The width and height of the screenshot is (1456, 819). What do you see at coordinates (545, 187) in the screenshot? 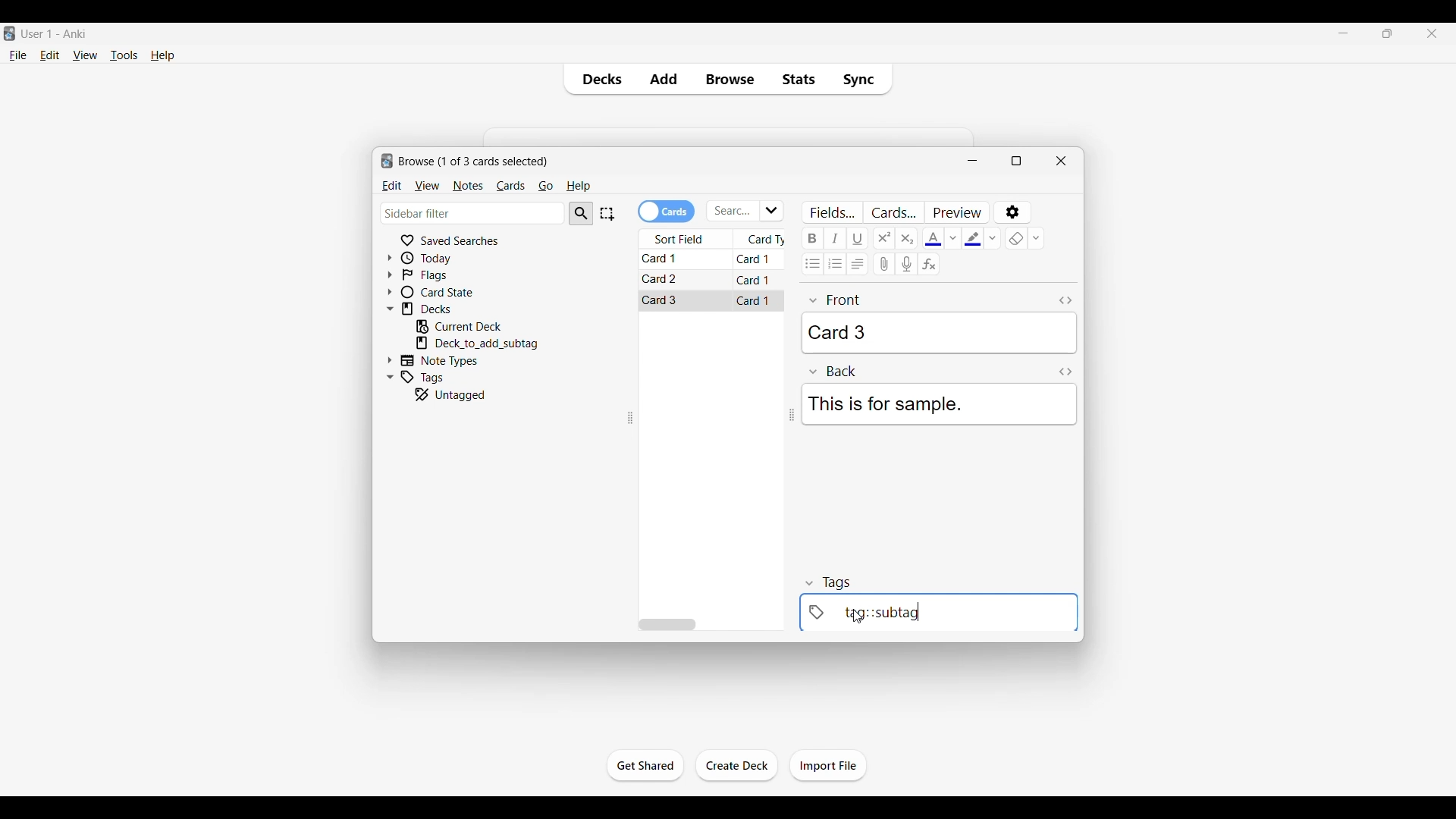
I see `Go menu` at bounding box center [545, 187].